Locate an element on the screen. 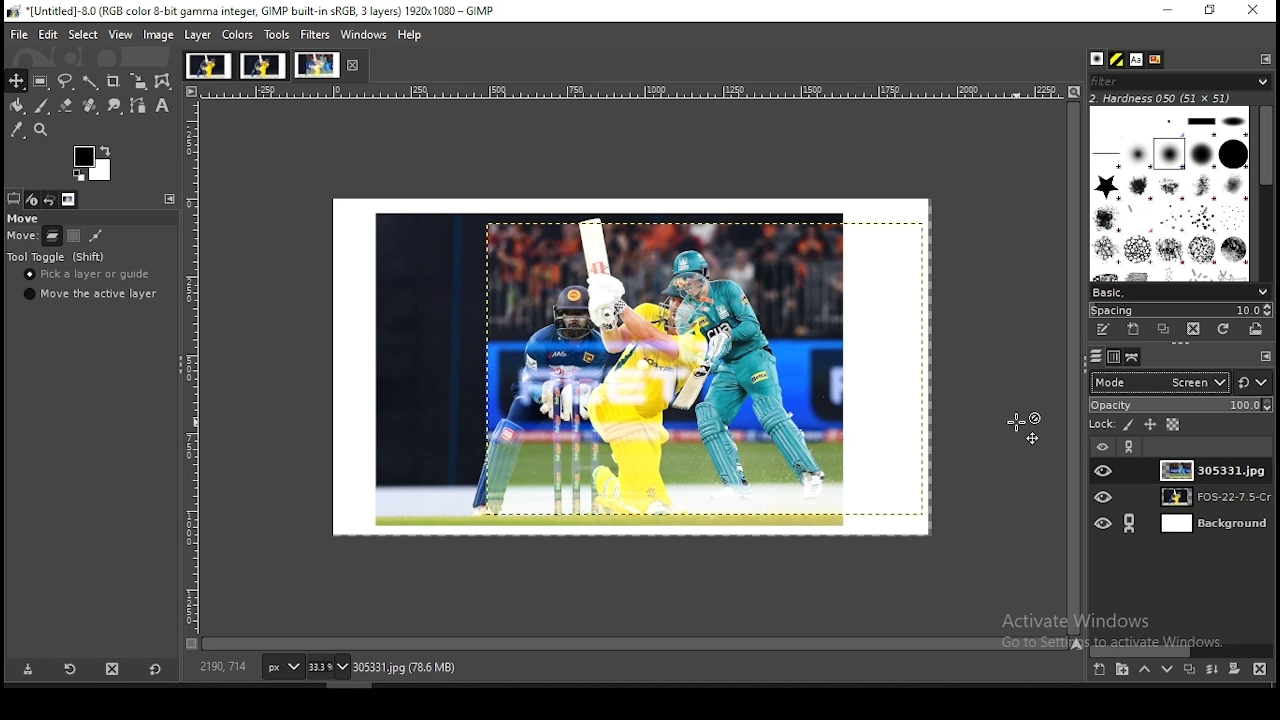 This screenshot has height=720, width=1280. zoom level is located at coordinates (328, 666).